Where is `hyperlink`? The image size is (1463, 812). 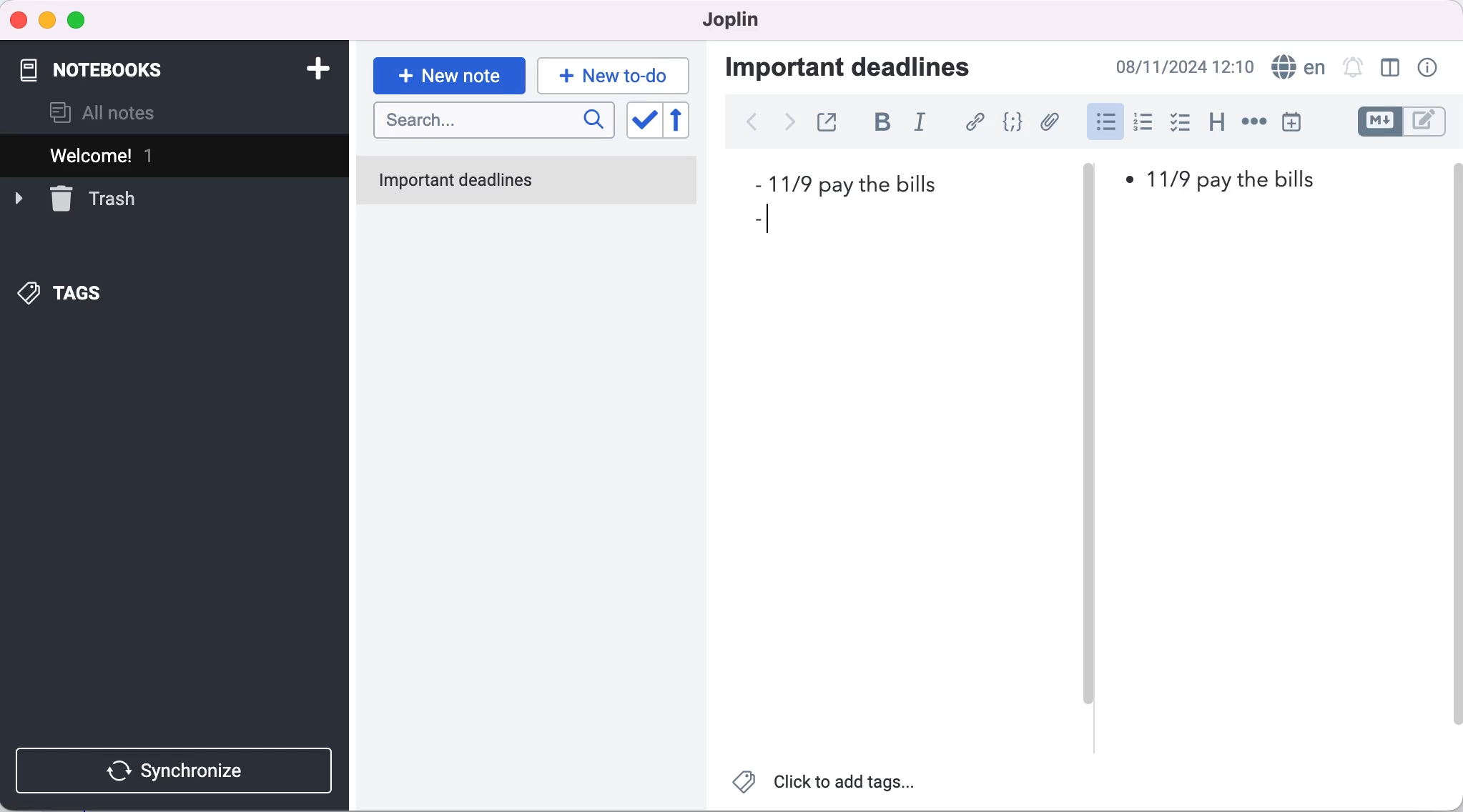
hyperlink is located at coordinates (970, 124).